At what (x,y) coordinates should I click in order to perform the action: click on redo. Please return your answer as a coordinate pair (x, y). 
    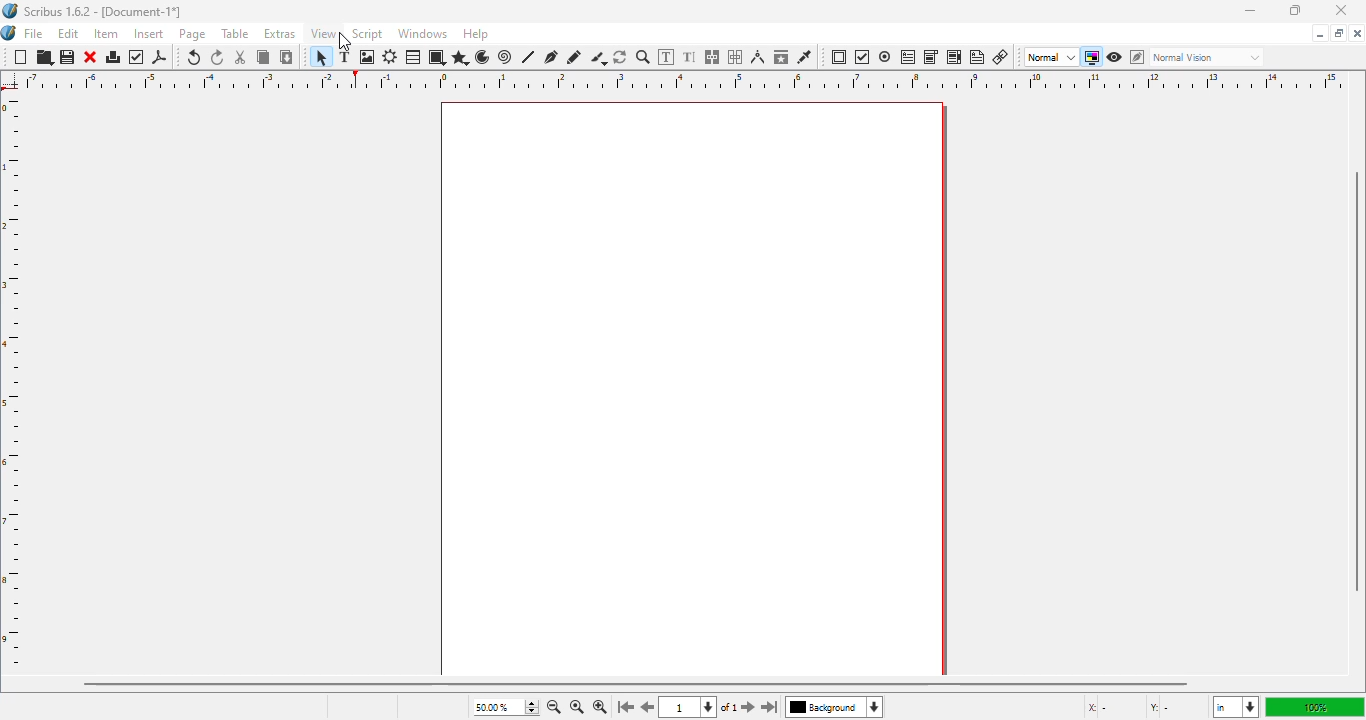
    Looking at the image, I should click on (218, 58).